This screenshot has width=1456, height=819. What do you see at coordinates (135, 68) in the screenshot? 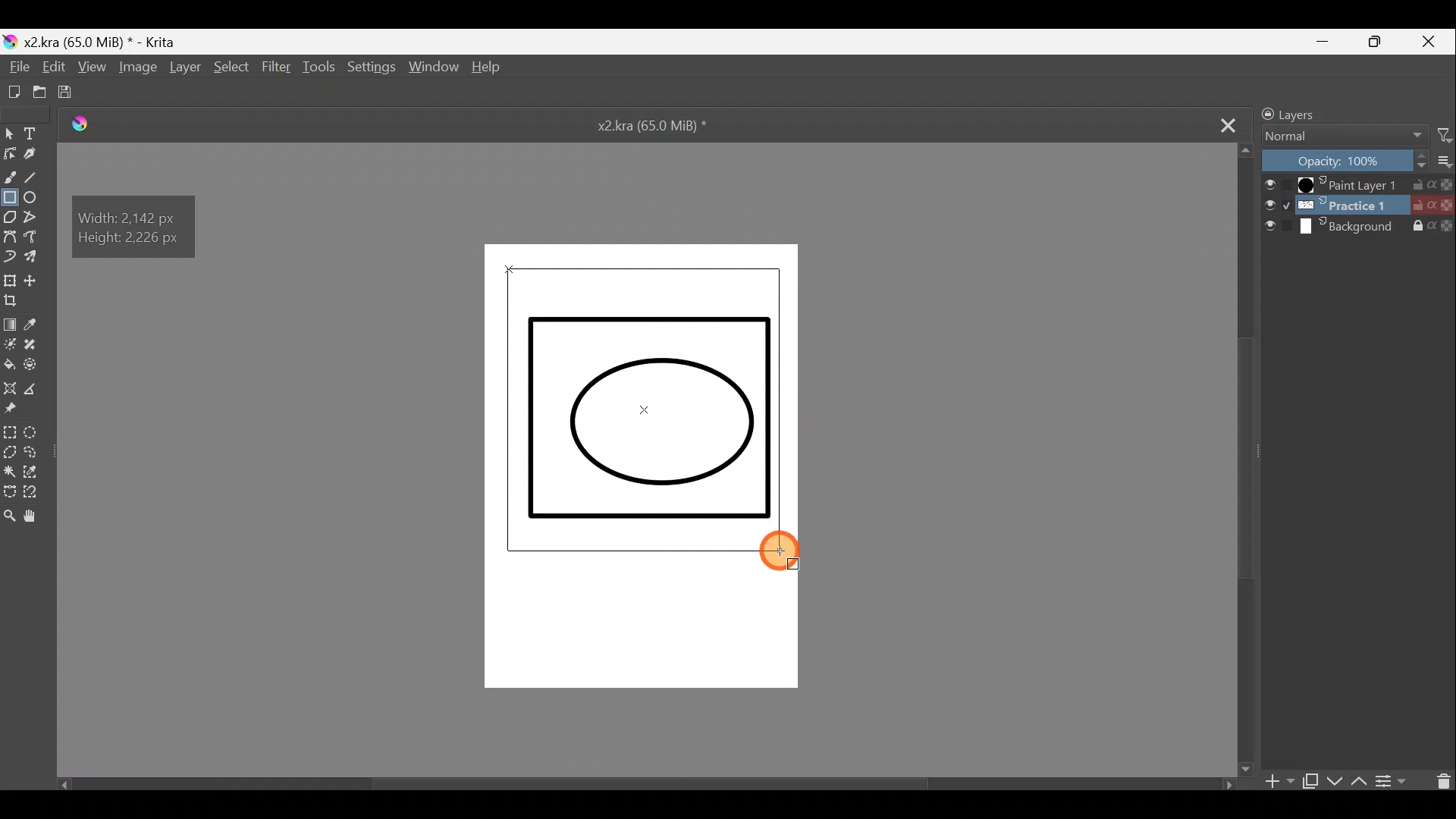
I see `Image` at bounding box center [135, 68].